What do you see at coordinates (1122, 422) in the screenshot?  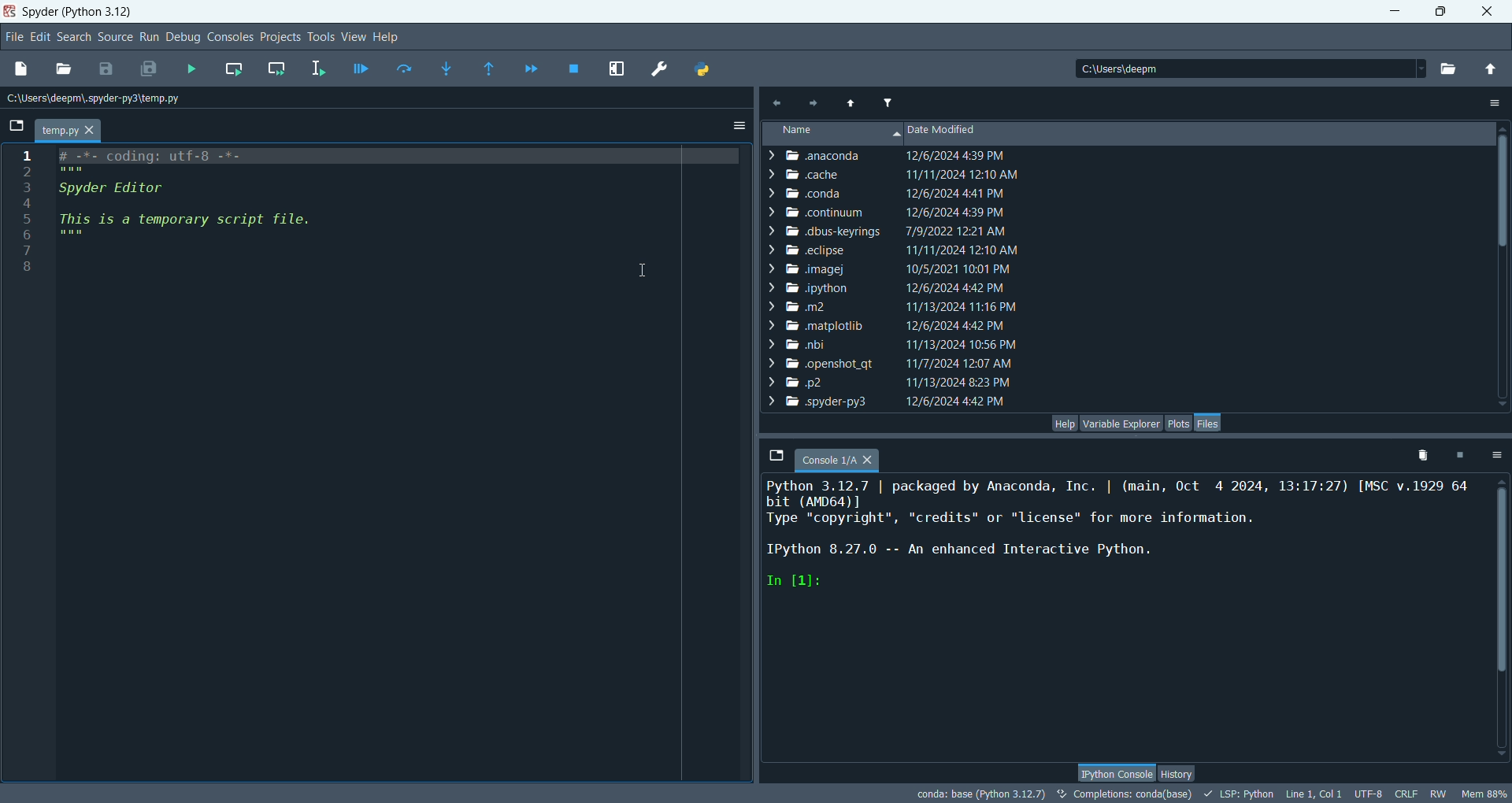 I see `variable explorer` at bounding box center [1122, 422].